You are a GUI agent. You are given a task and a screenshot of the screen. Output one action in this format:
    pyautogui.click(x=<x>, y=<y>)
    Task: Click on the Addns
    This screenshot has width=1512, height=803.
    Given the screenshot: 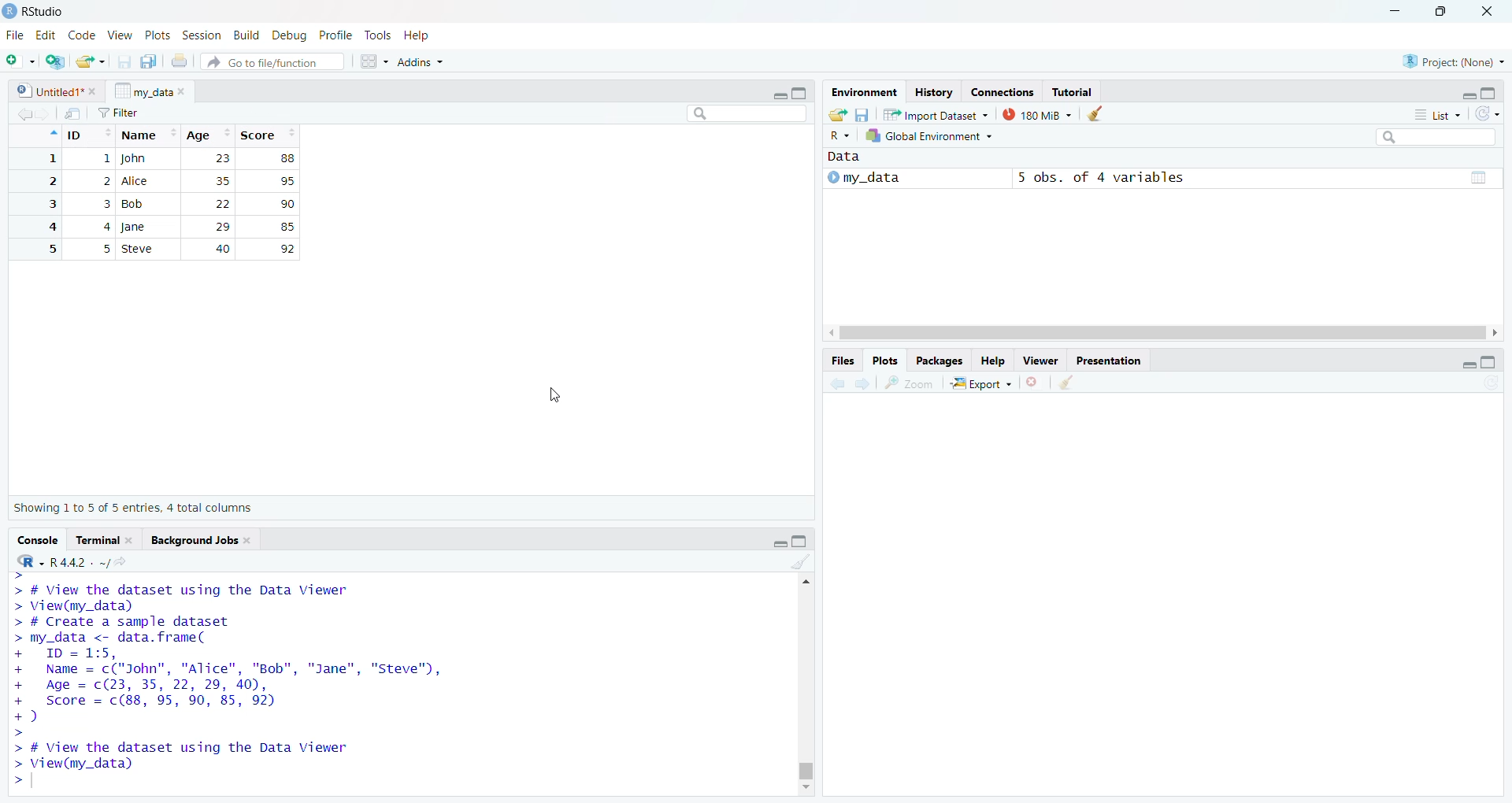 What is the action you would take?
    pyautogui.click(x=424, y=63)
    